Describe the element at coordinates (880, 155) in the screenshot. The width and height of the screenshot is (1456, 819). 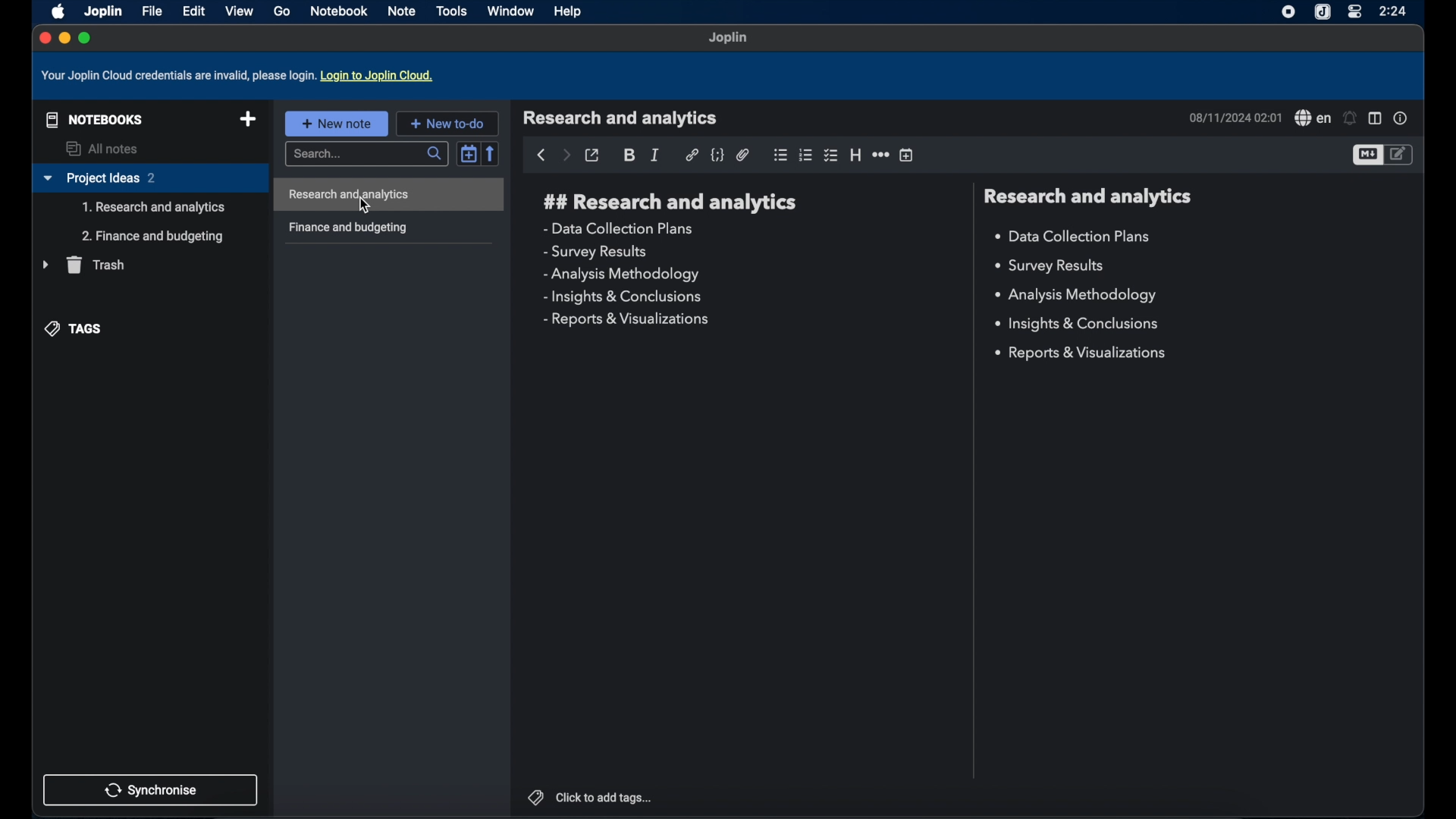
I see `horizontal rule` at that location.